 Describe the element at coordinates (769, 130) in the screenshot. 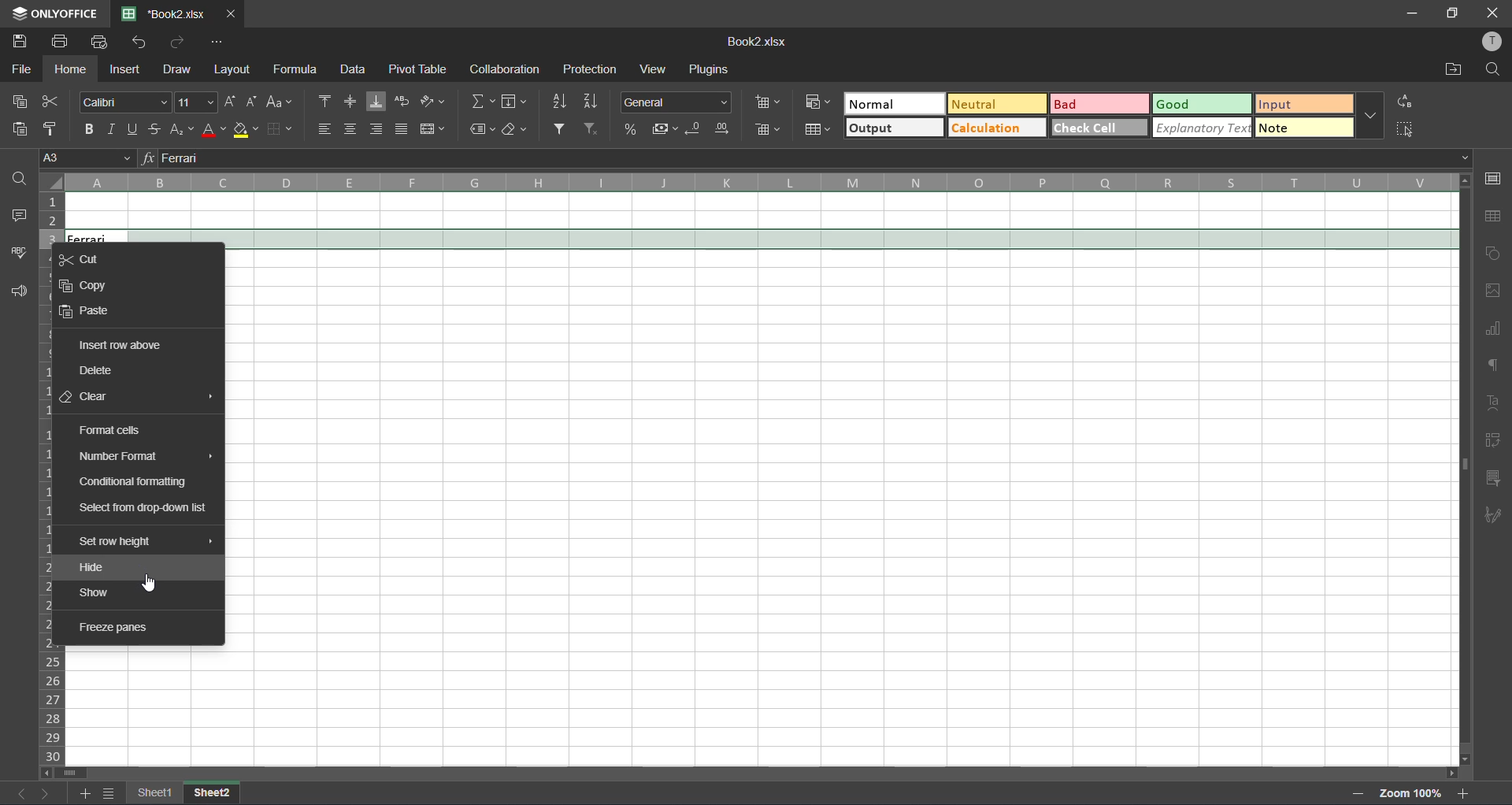

I see `delete cells` at that location.